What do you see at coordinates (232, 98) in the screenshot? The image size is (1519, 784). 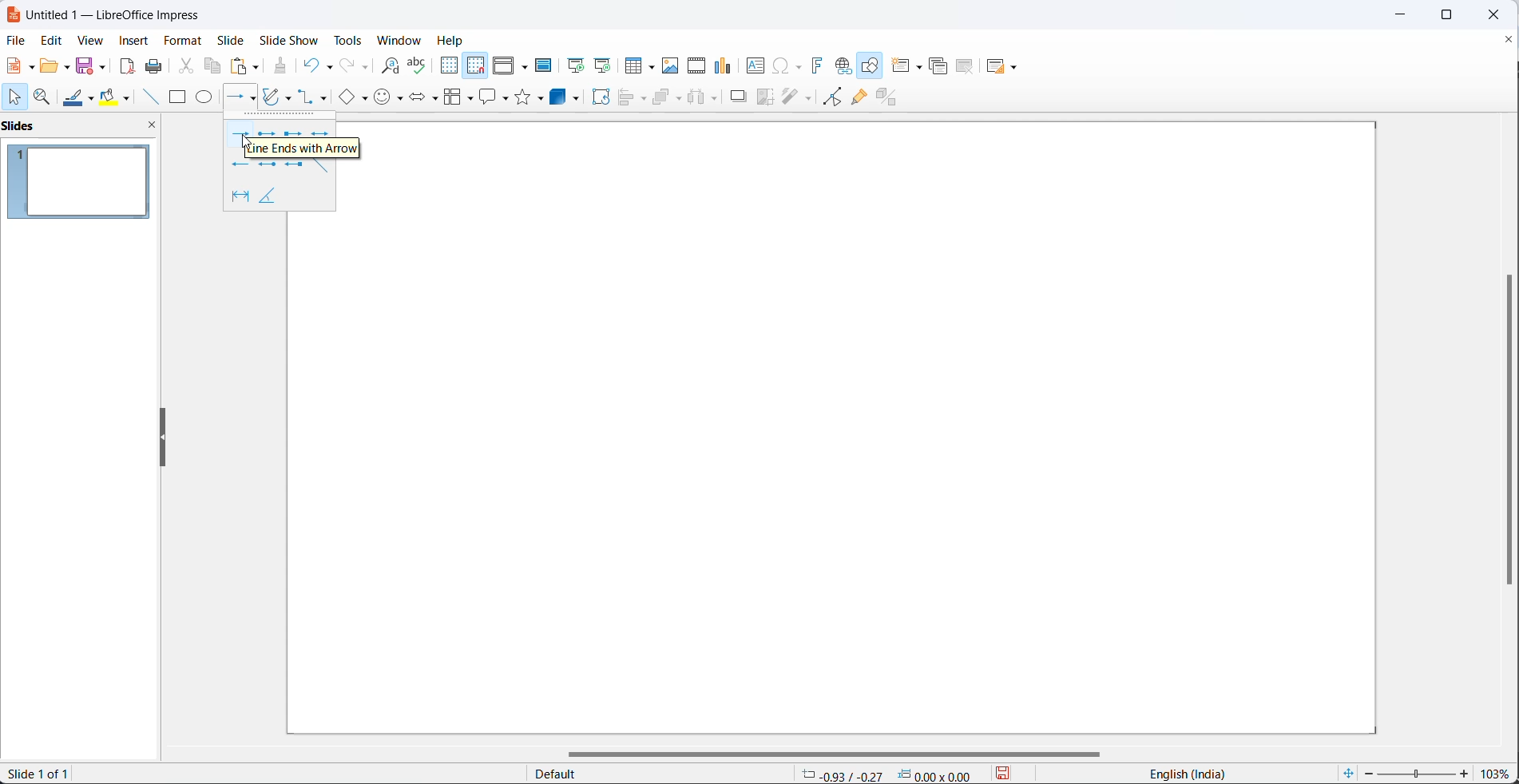 I see `line and arrow` at bounding box center [232, 98].